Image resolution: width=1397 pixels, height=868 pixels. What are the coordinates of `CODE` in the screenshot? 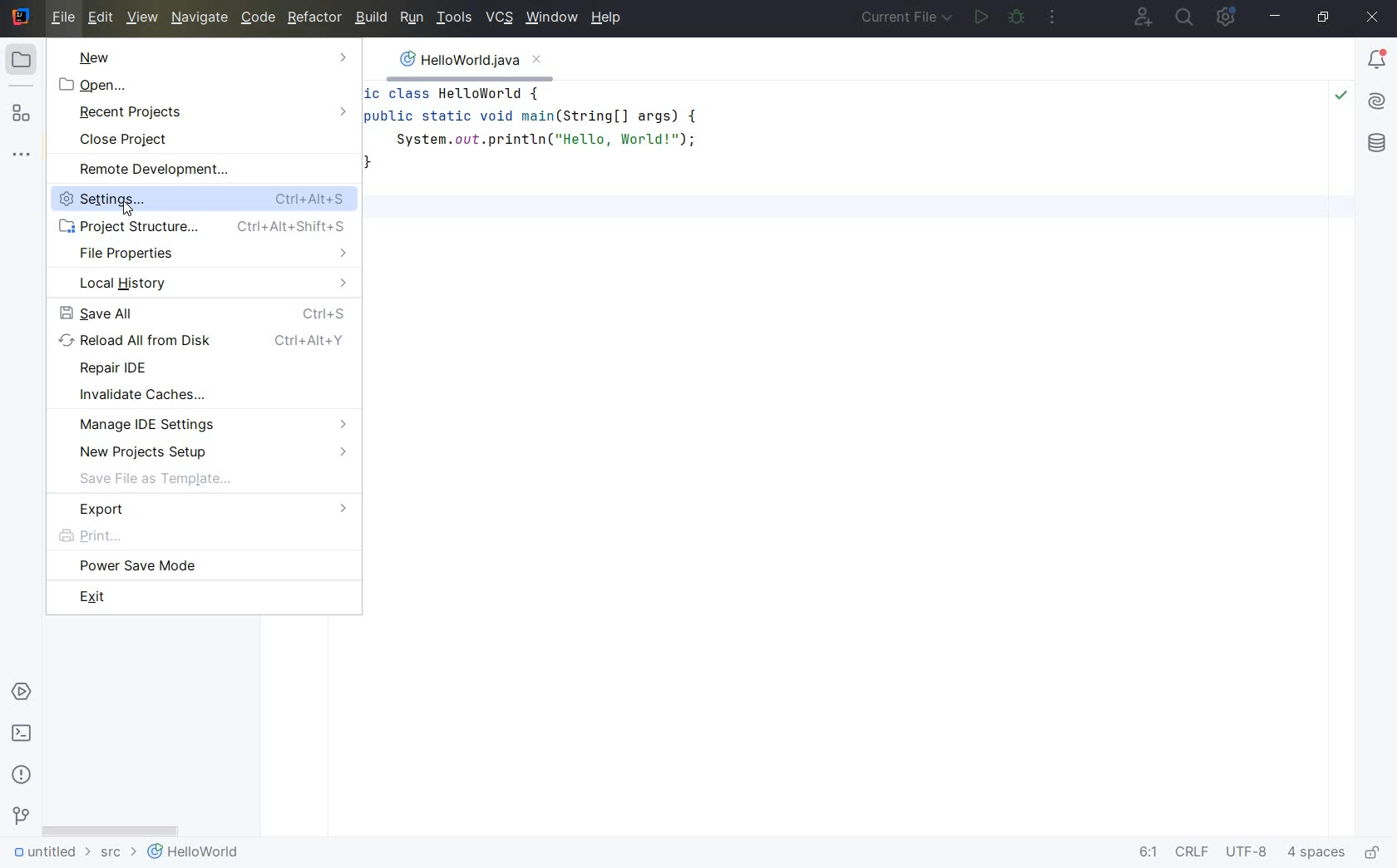 It's located at (258, 19).